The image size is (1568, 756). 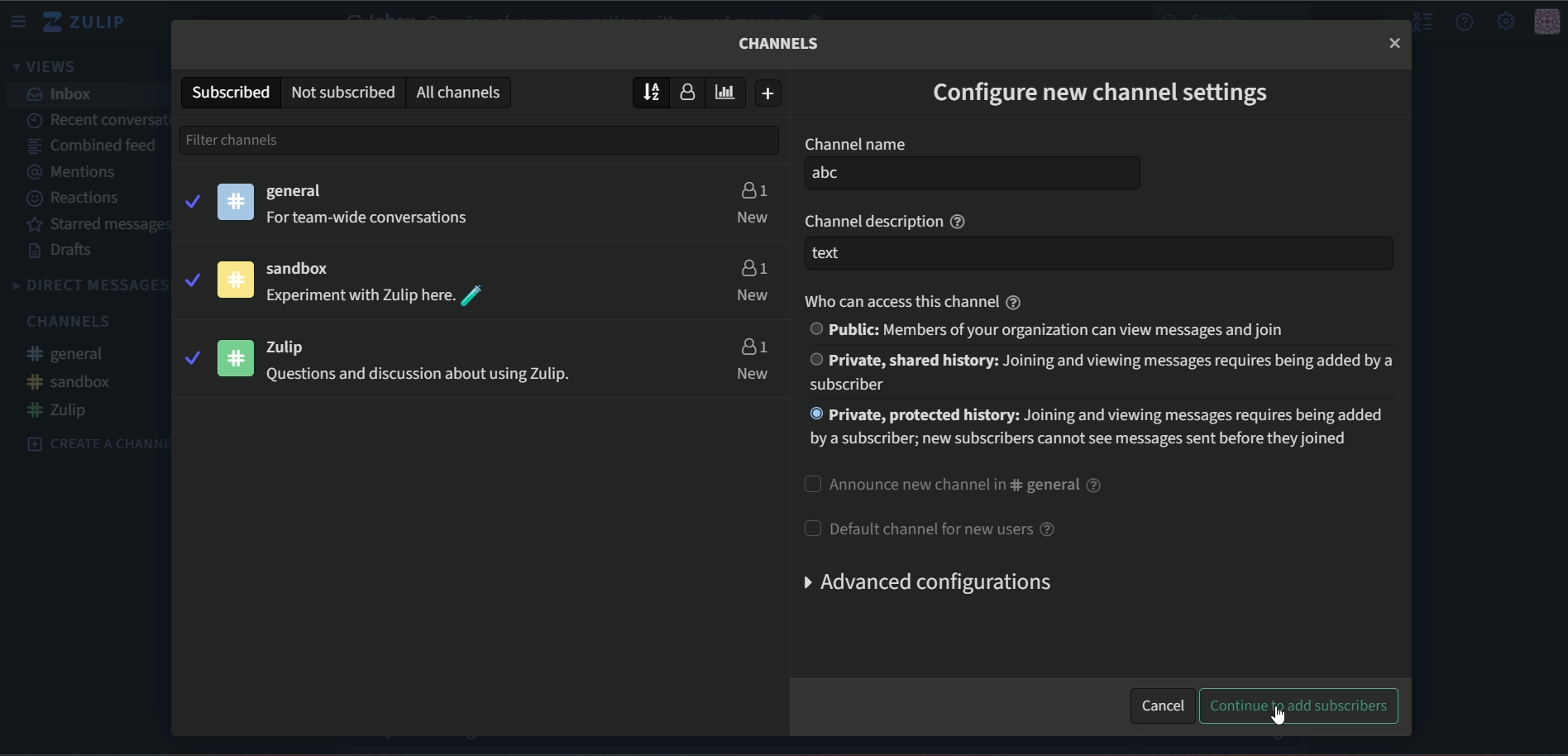 What do you see at coordinates (79, 172) in the screenshot?
I see `mentions` at bounding box center [79, 172].